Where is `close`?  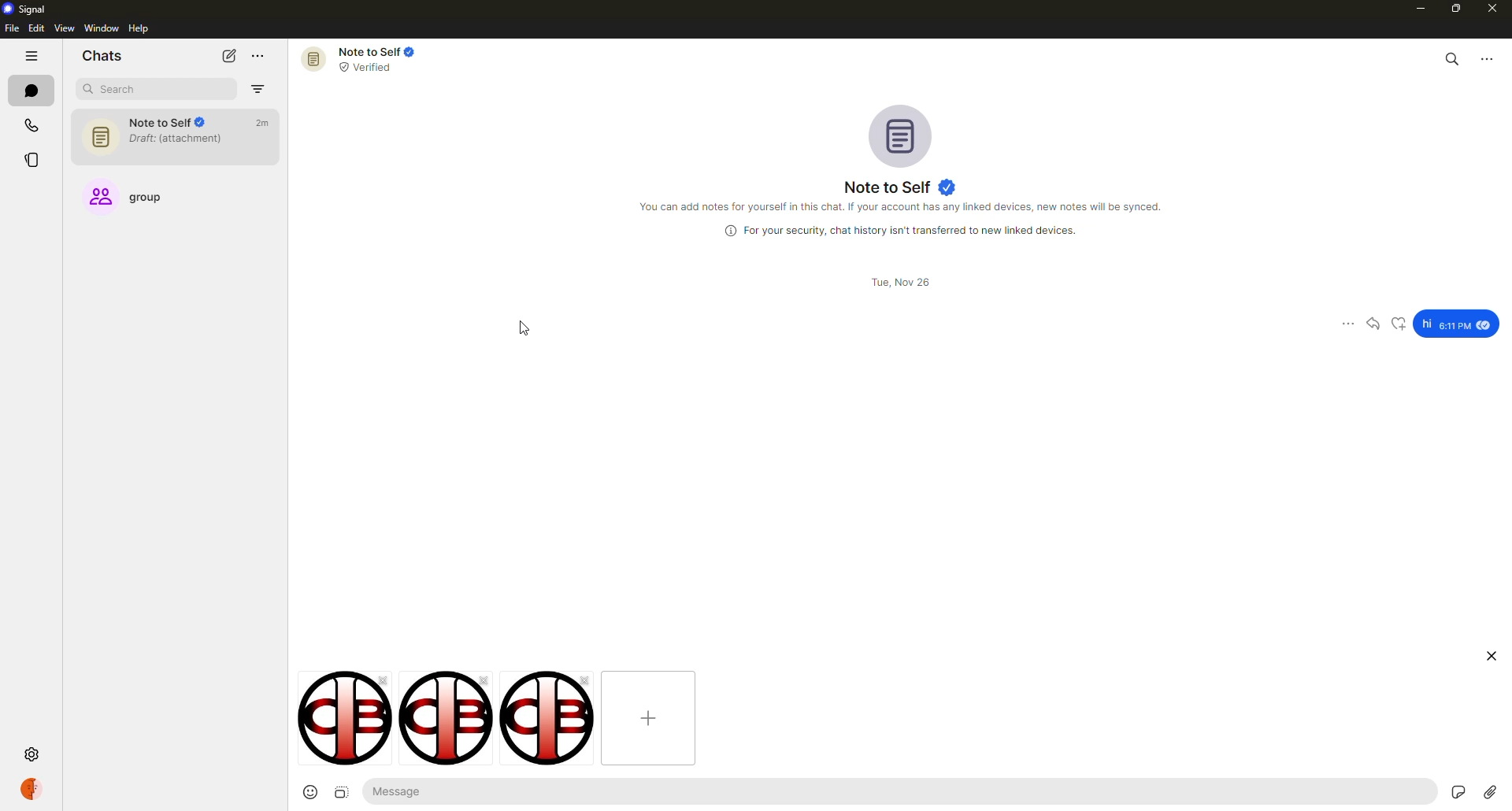
close is located at coordinates (591, 680).